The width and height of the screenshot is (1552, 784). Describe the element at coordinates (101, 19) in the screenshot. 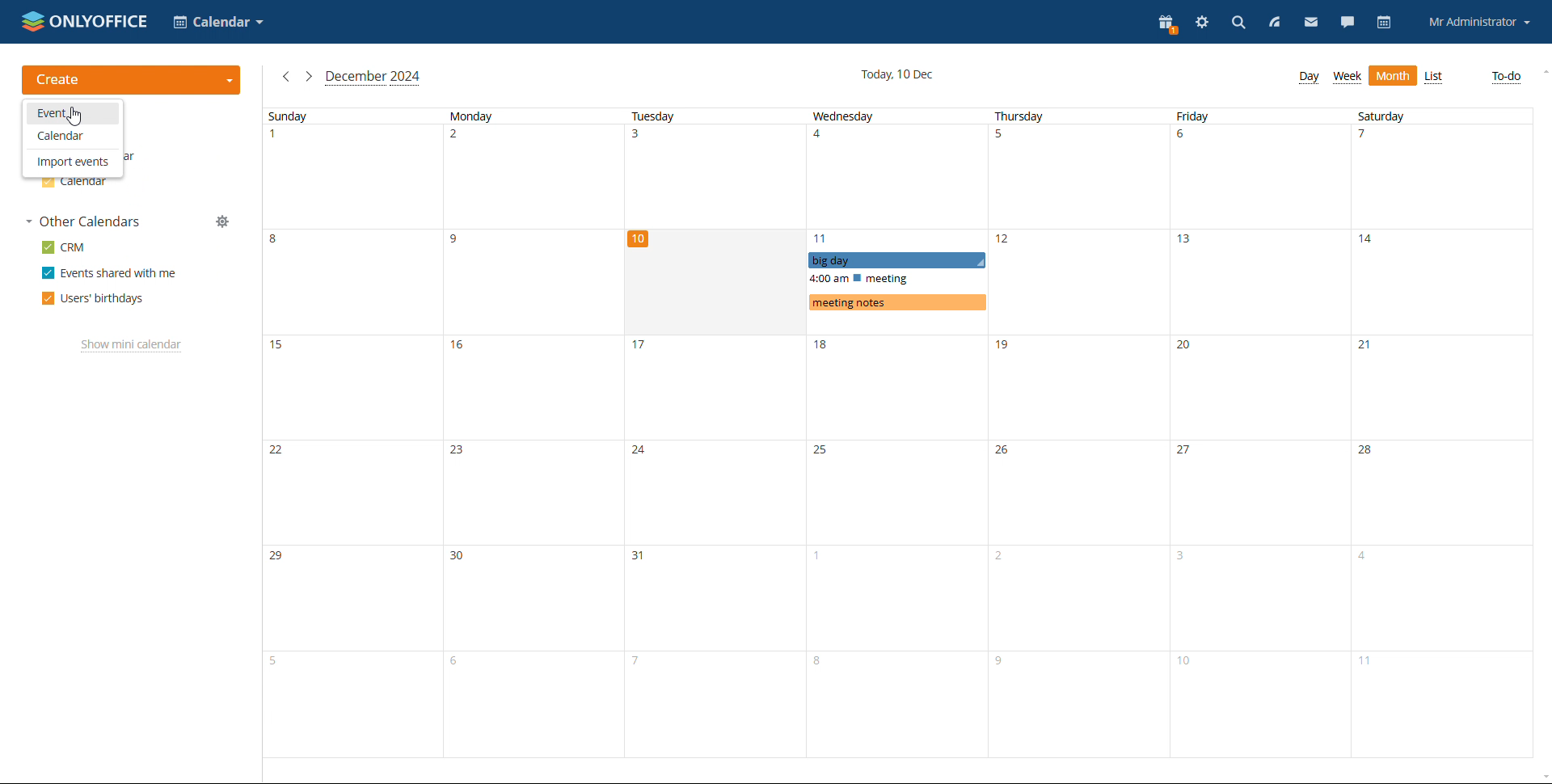

I see `onlyoffice ` at that location.